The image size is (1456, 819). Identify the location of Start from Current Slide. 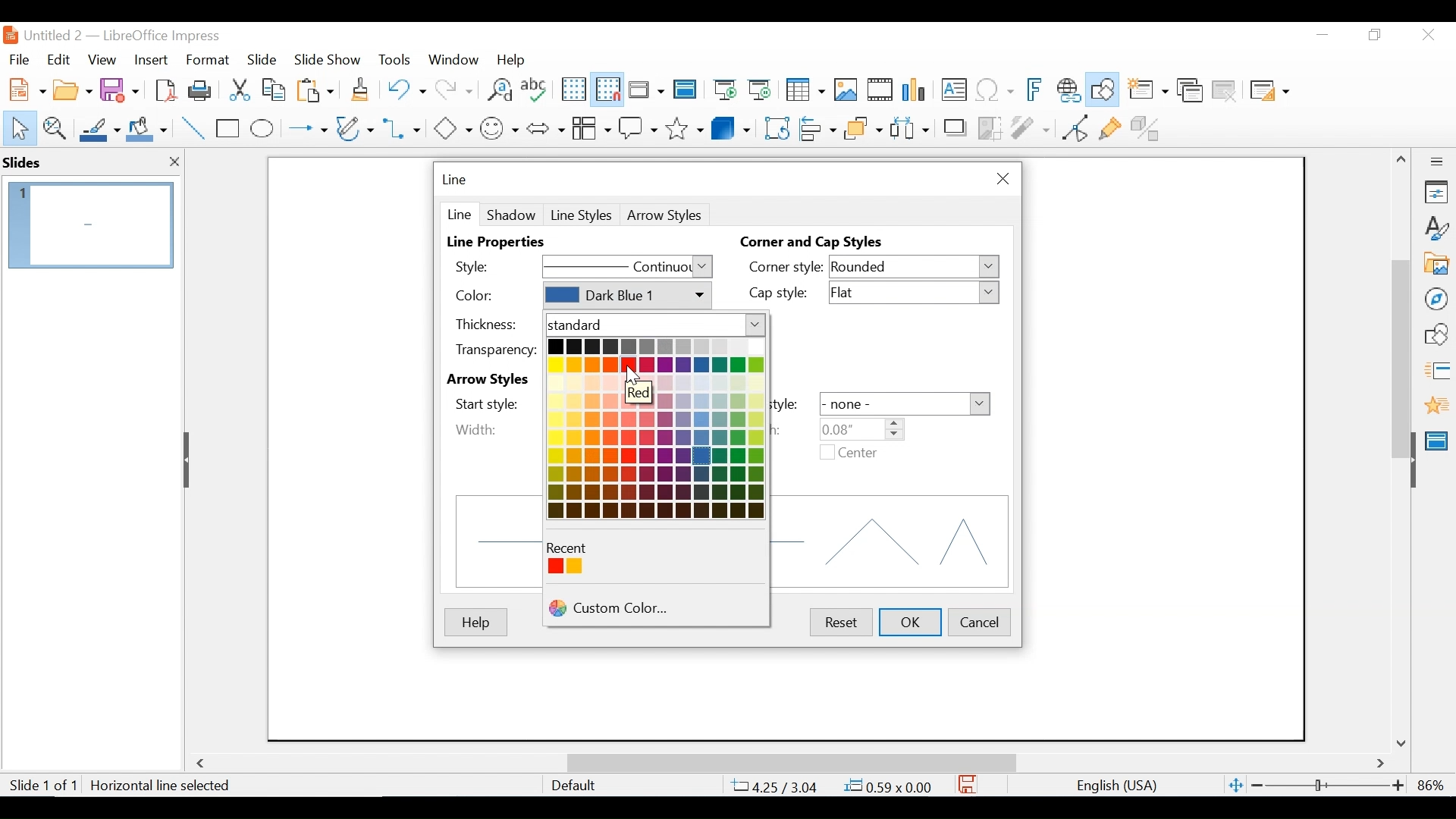
(759, 91).